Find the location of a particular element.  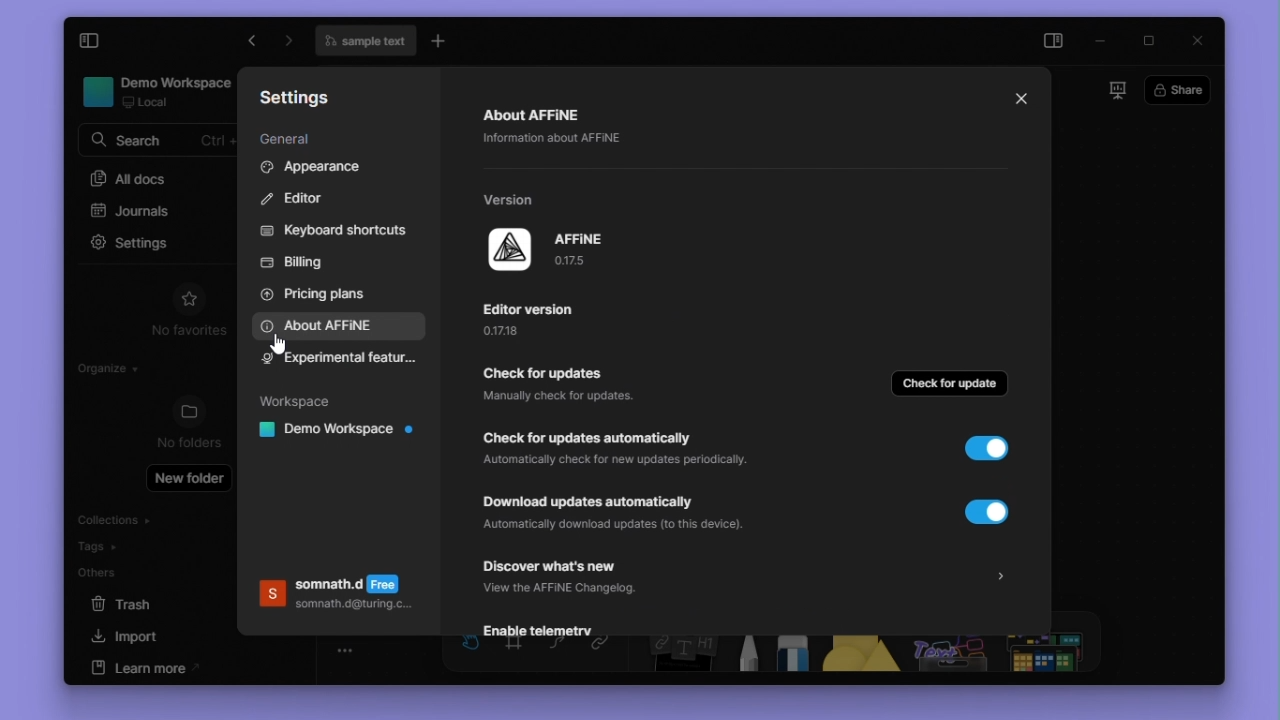

Tags is located at coordinates (150, 547).